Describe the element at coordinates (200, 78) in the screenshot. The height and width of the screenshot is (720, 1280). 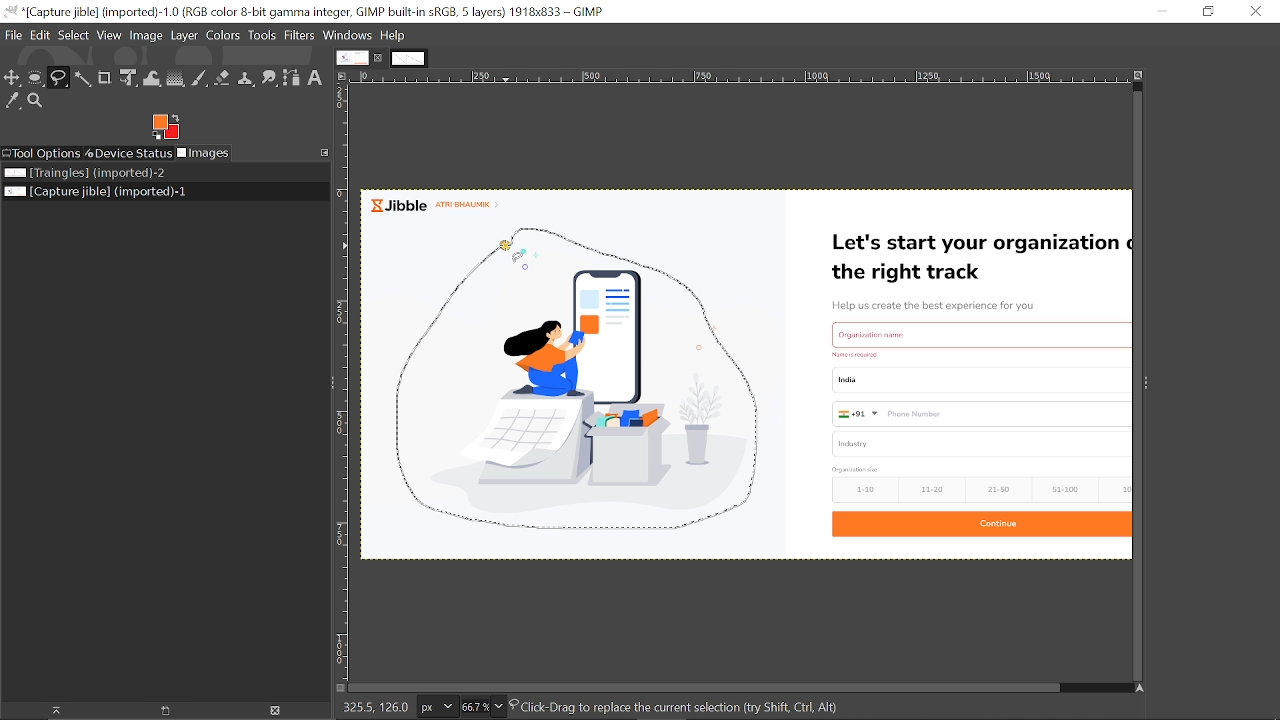
I see `Paintbrush tool` at that location.